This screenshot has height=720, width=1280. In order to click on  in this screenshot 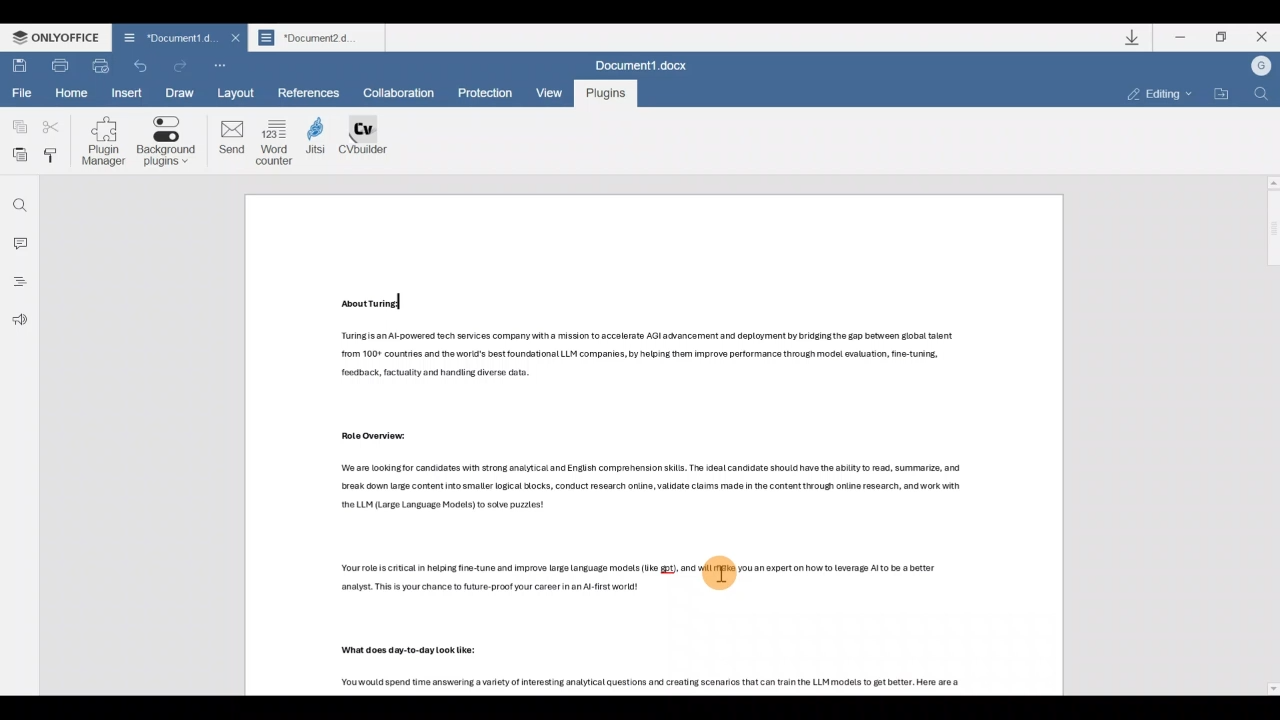, I will do `click(646, 487)`.